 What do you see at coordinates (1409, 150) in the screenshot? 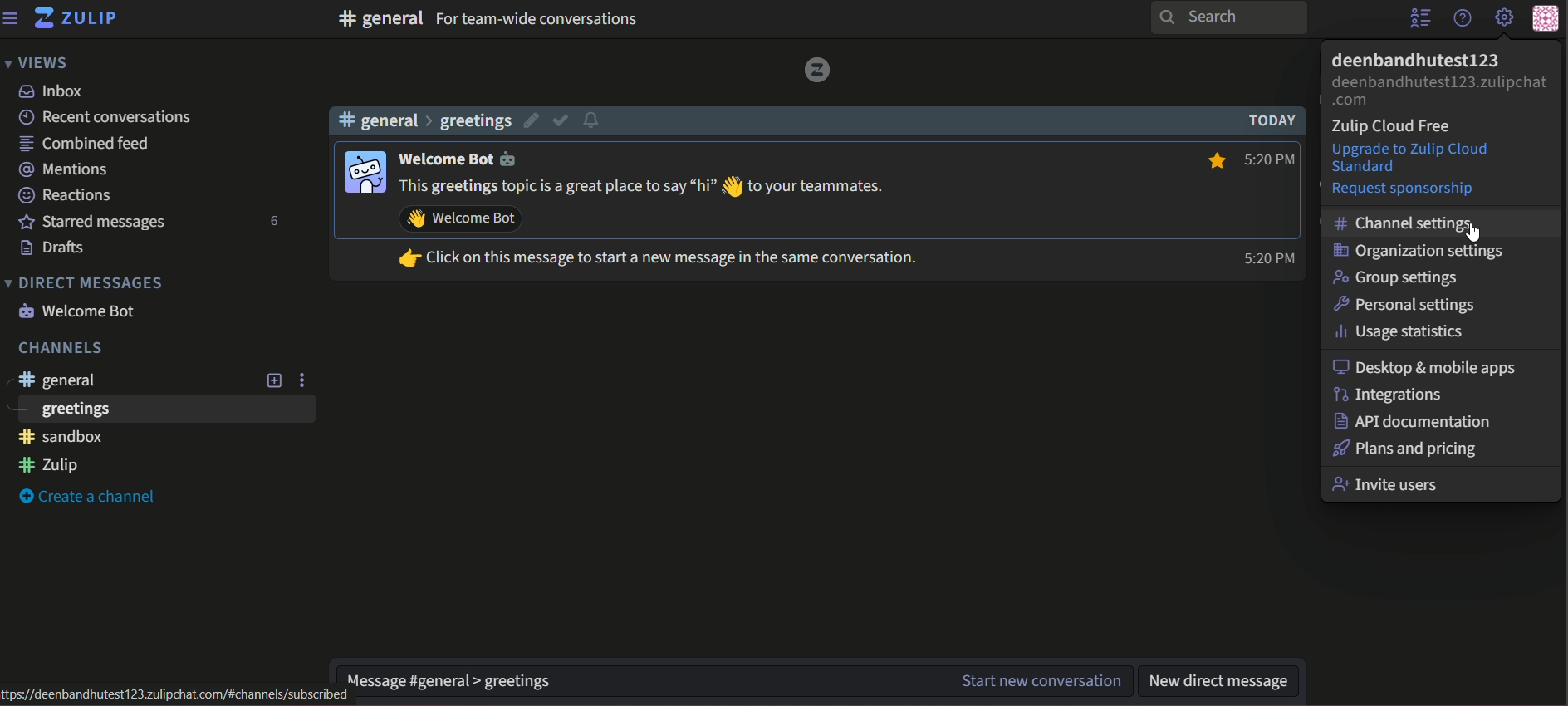
I see `upgrade to zulip` at bounding box center [1409, 150].